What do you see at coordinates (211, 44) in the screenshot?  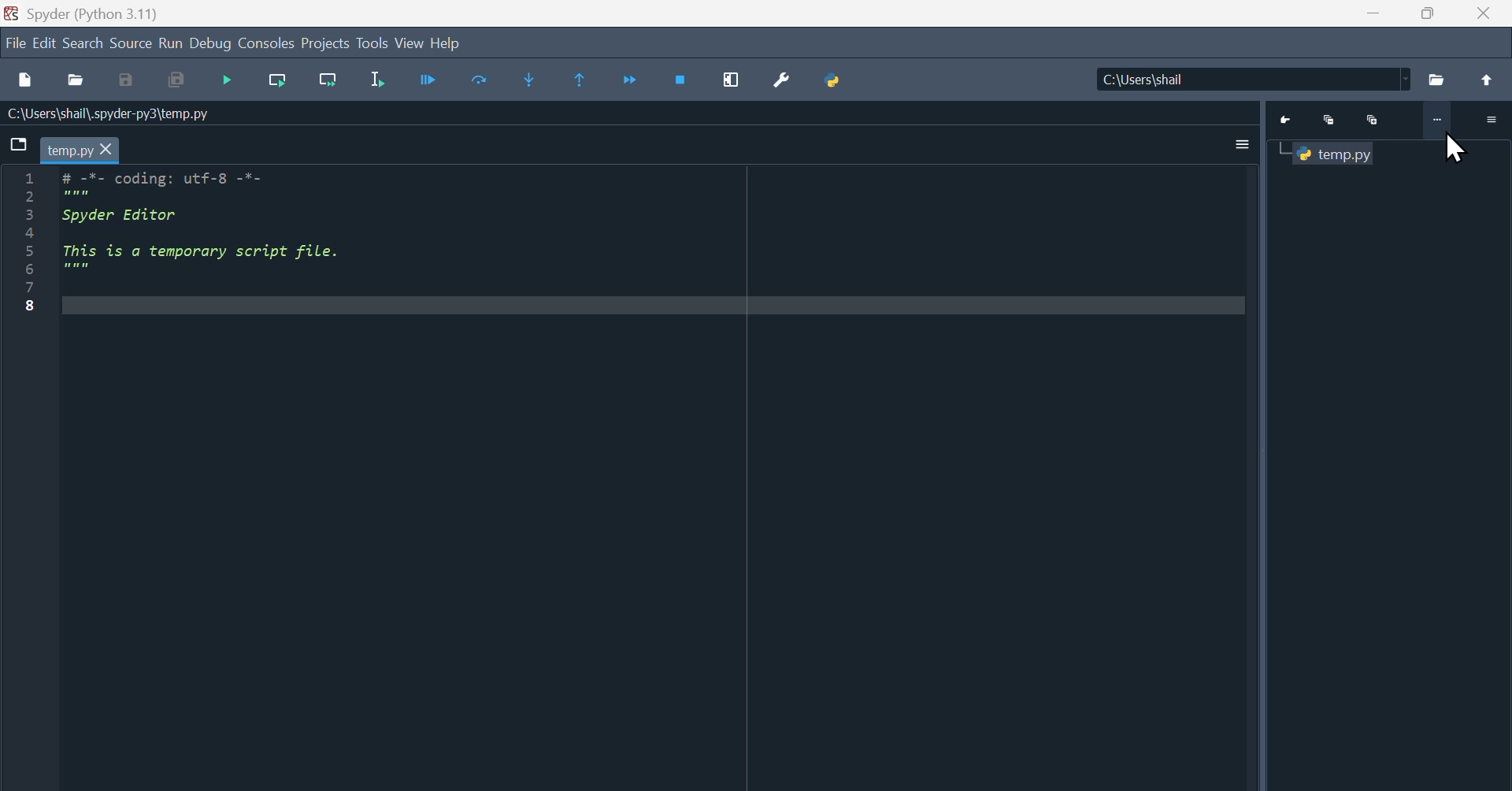 I see `Debug` at bounding box center [211, 44].